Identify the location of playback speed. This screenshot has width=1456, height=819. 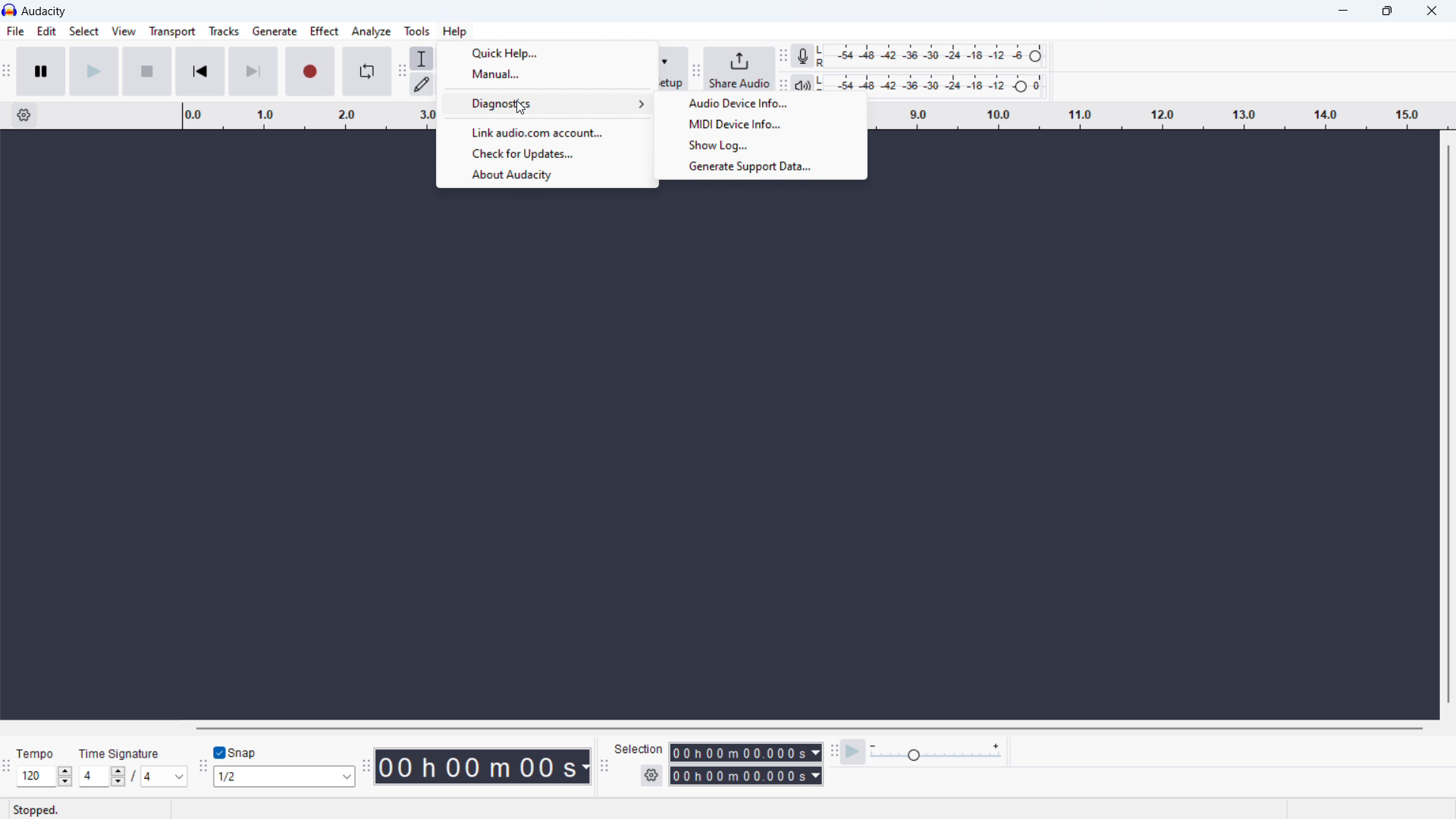
(937, 753).